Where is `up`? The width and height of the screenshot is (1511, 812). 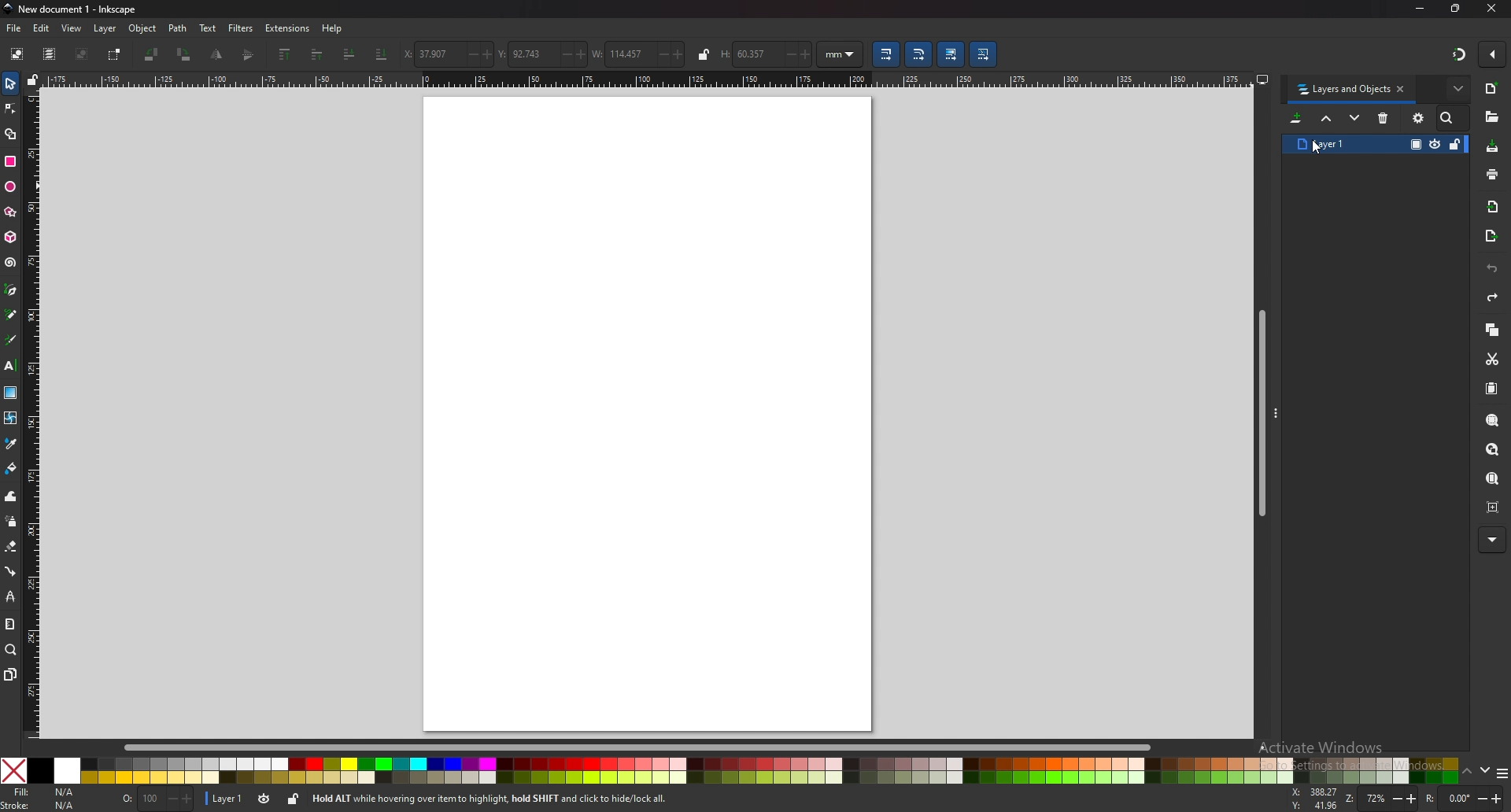
up is located at coordinates (1467, 772).